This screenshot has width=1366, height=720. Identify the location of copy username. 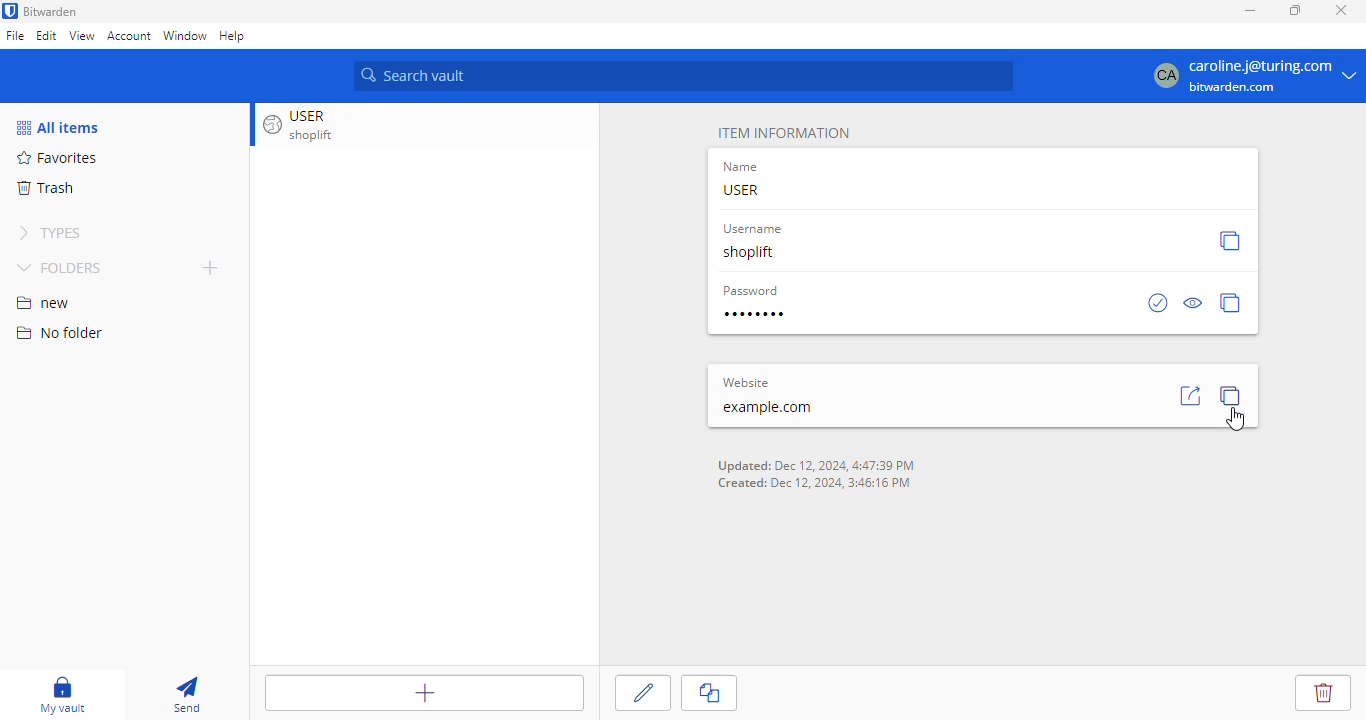
(1229, 240).